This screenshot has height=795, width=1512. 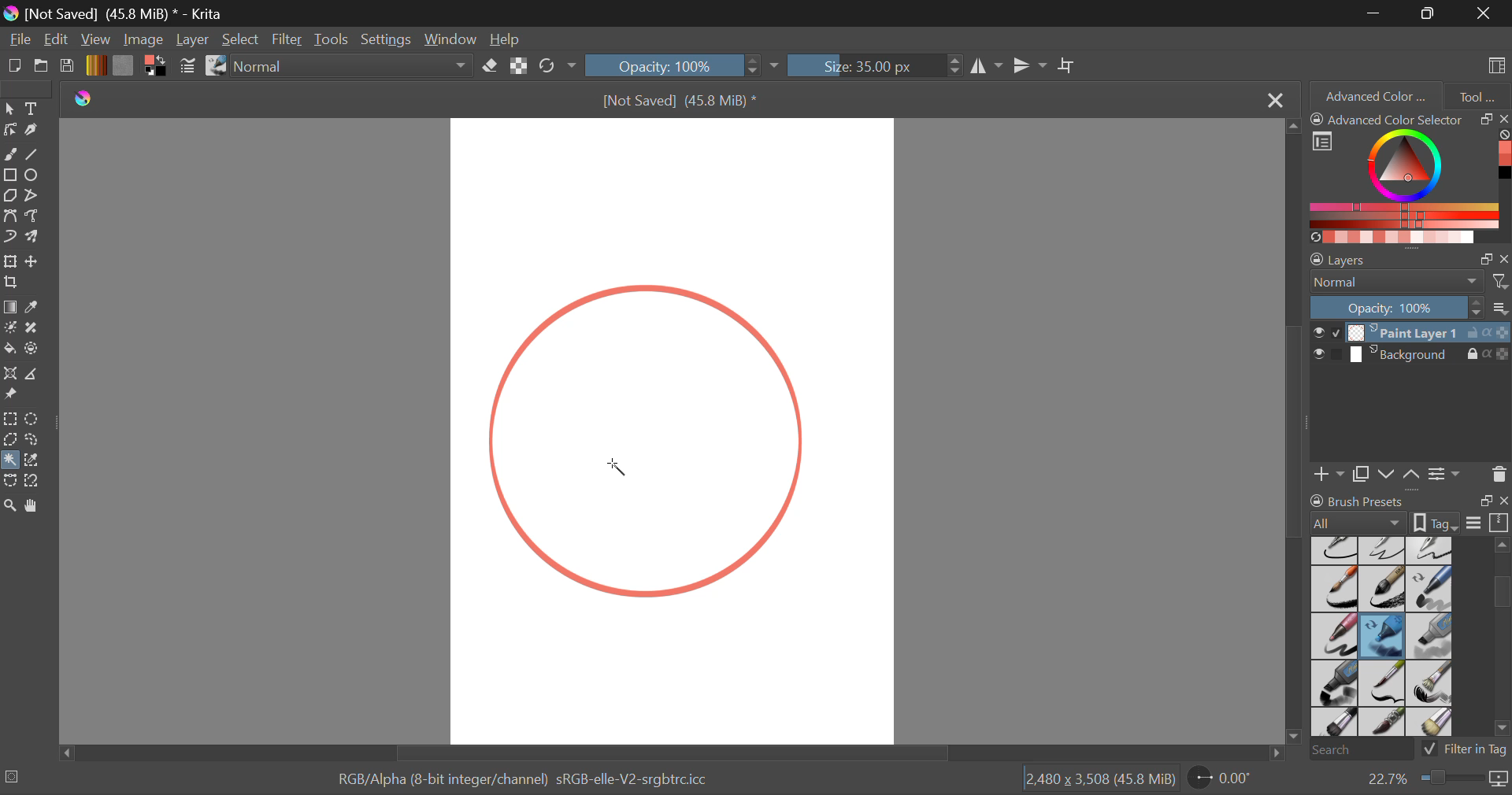 What do you see at coordinates (1374, 95) in the screenshot?
I see `Advanced Color Selector Tab Open` at bounding box center [1374, 95].